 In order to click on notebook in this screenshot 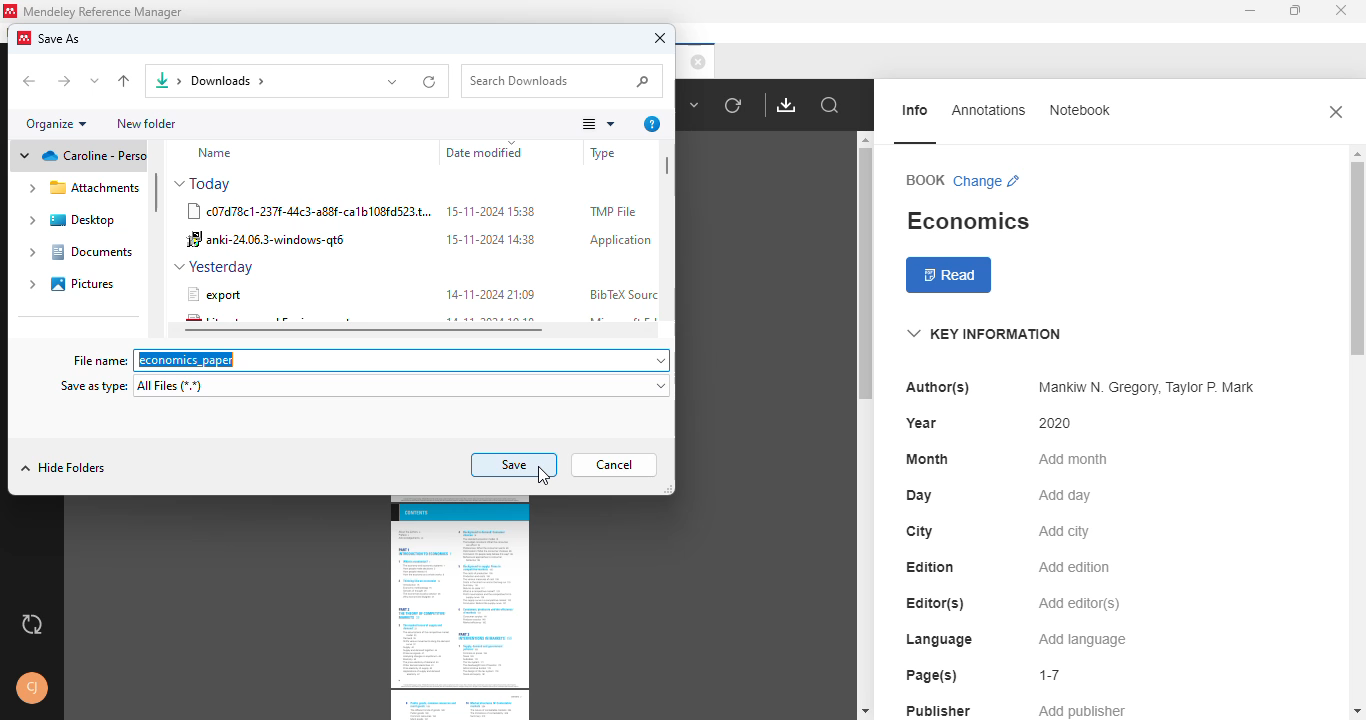, I will do `click(1078, 110)`.